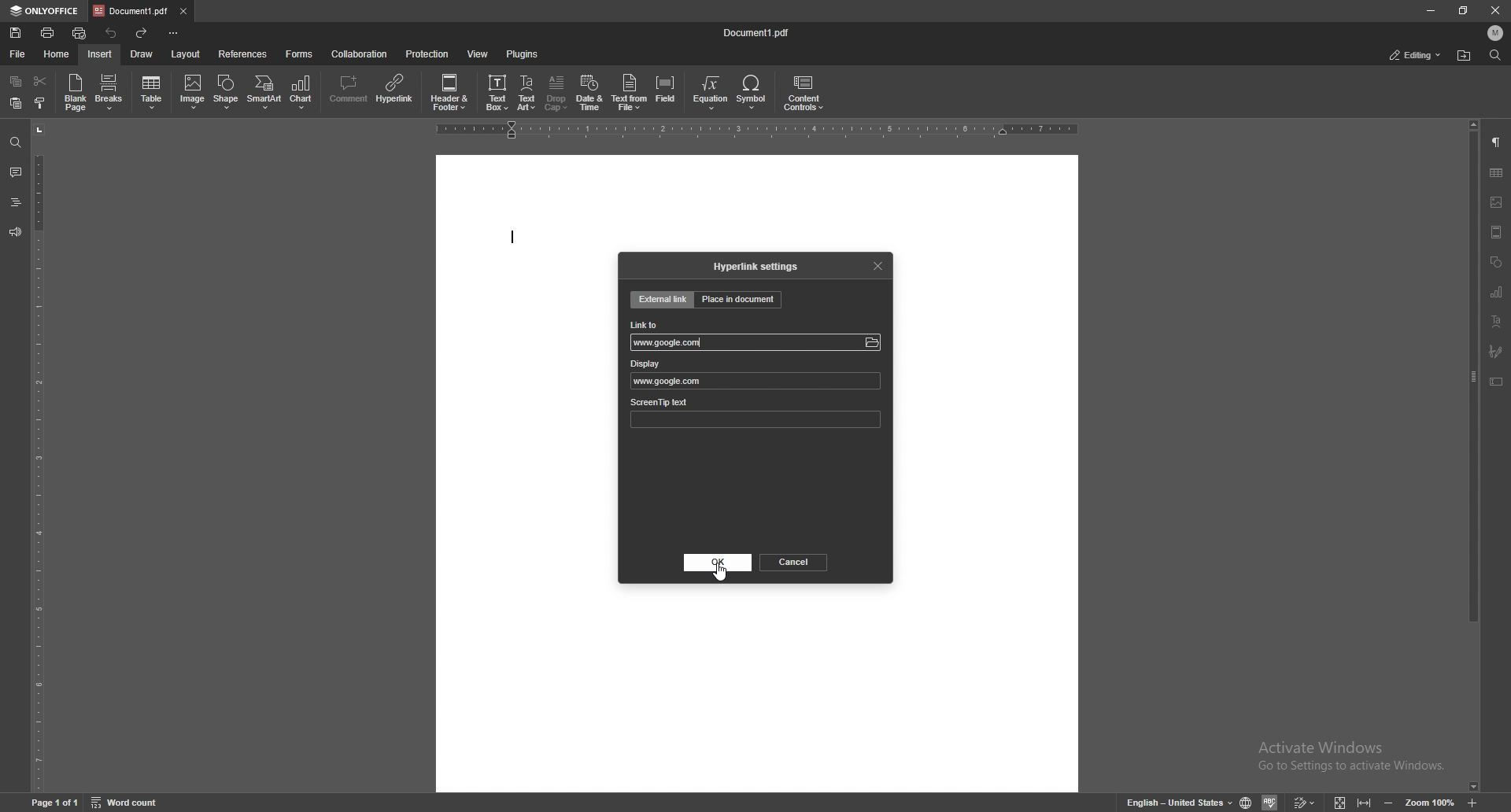 This screenshot has height=812, width=1511. I want to click on comments, so click(13, 172).